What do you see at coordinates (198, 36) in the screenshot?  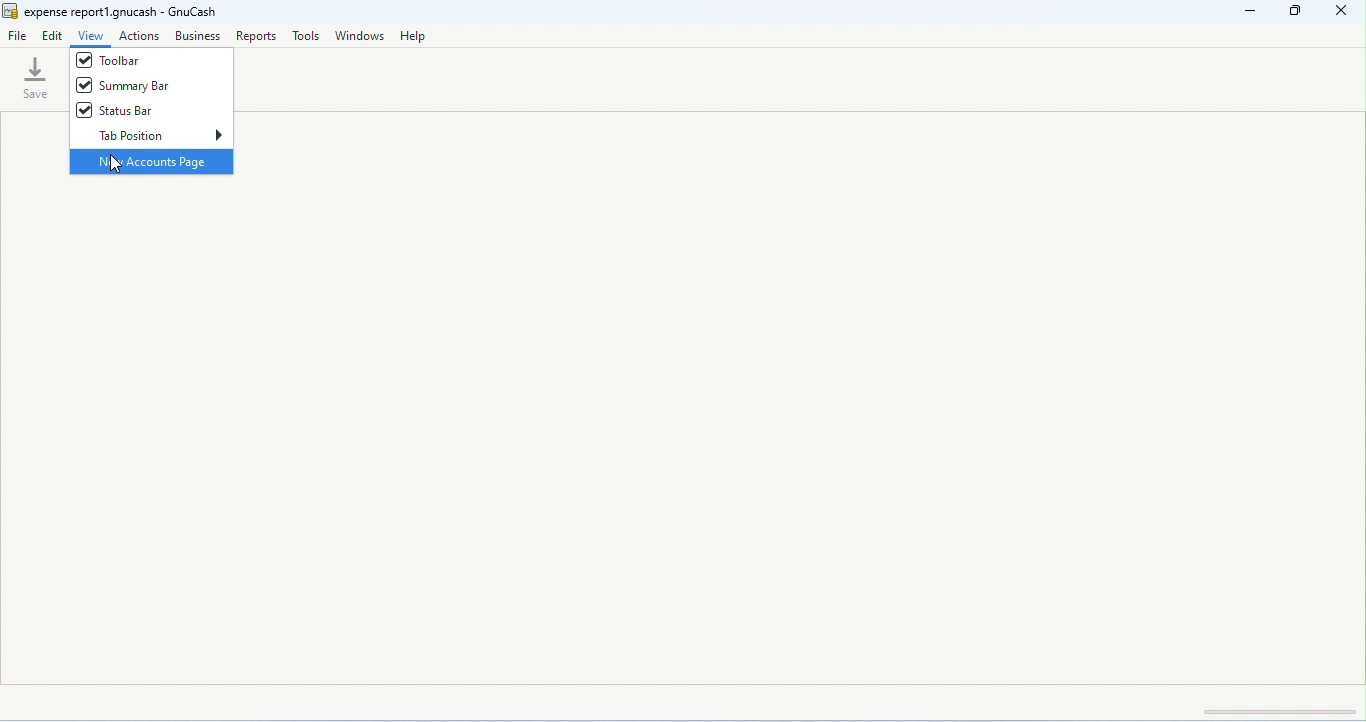 I see `business` at bounding box center [198, 36].